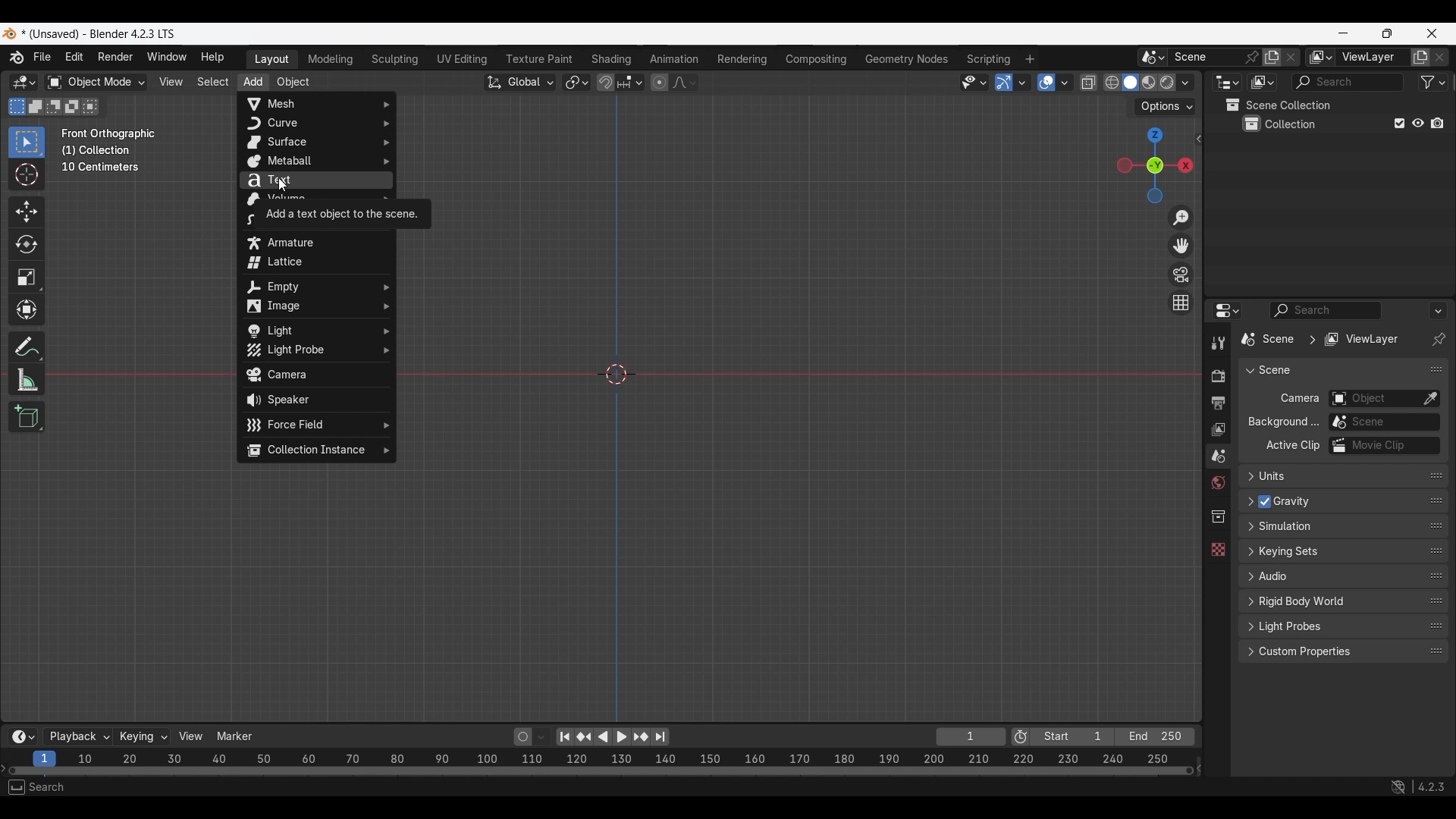 The width and height of the screenshot is (1456, 819). Describe the element at coordinates (987, 58) in the screenshot. I see `Scripting workspace` at that location.